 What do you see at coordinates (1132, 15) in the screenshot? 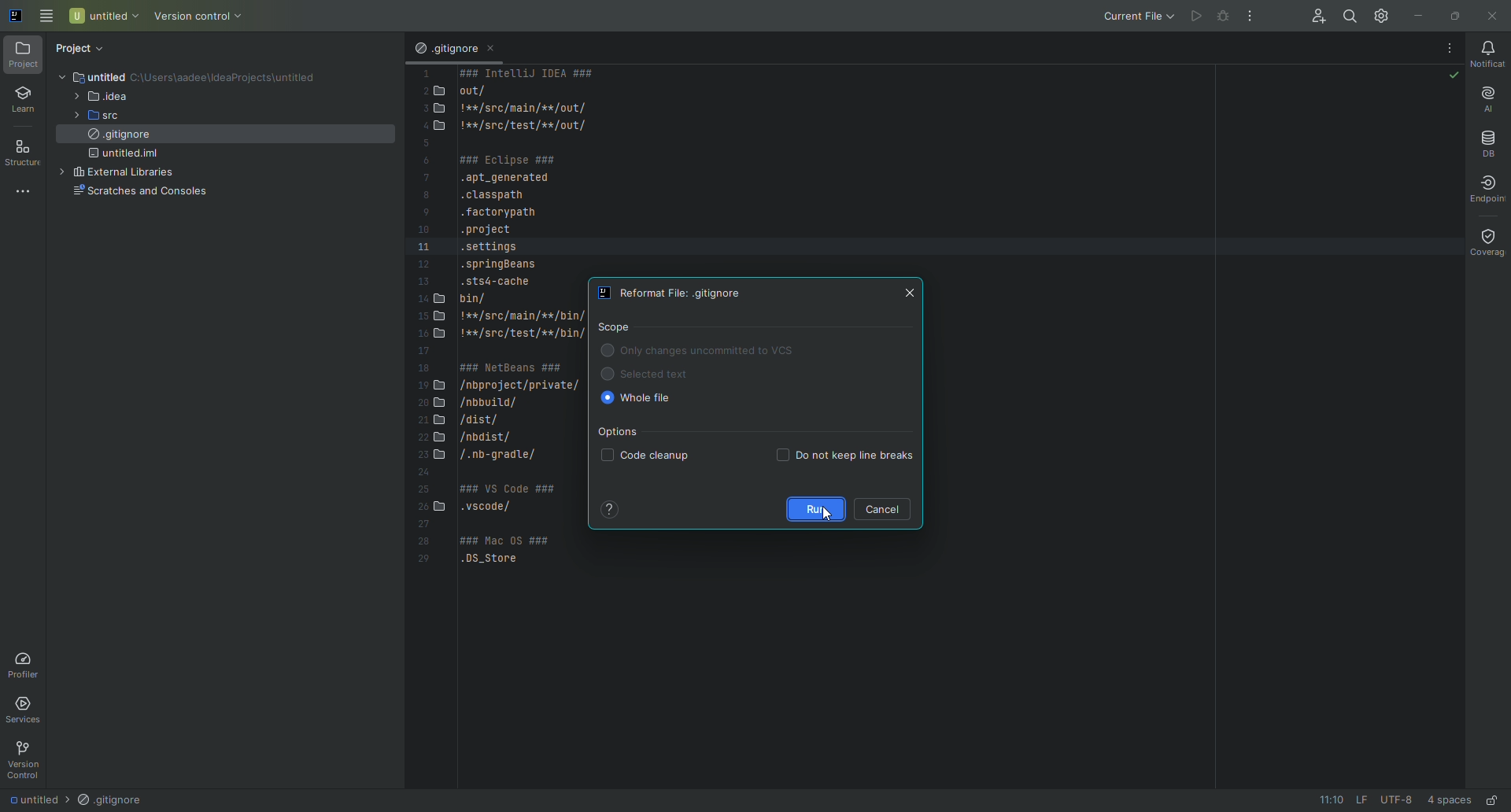
I see `Current file` at bounding box center [1132, 15].